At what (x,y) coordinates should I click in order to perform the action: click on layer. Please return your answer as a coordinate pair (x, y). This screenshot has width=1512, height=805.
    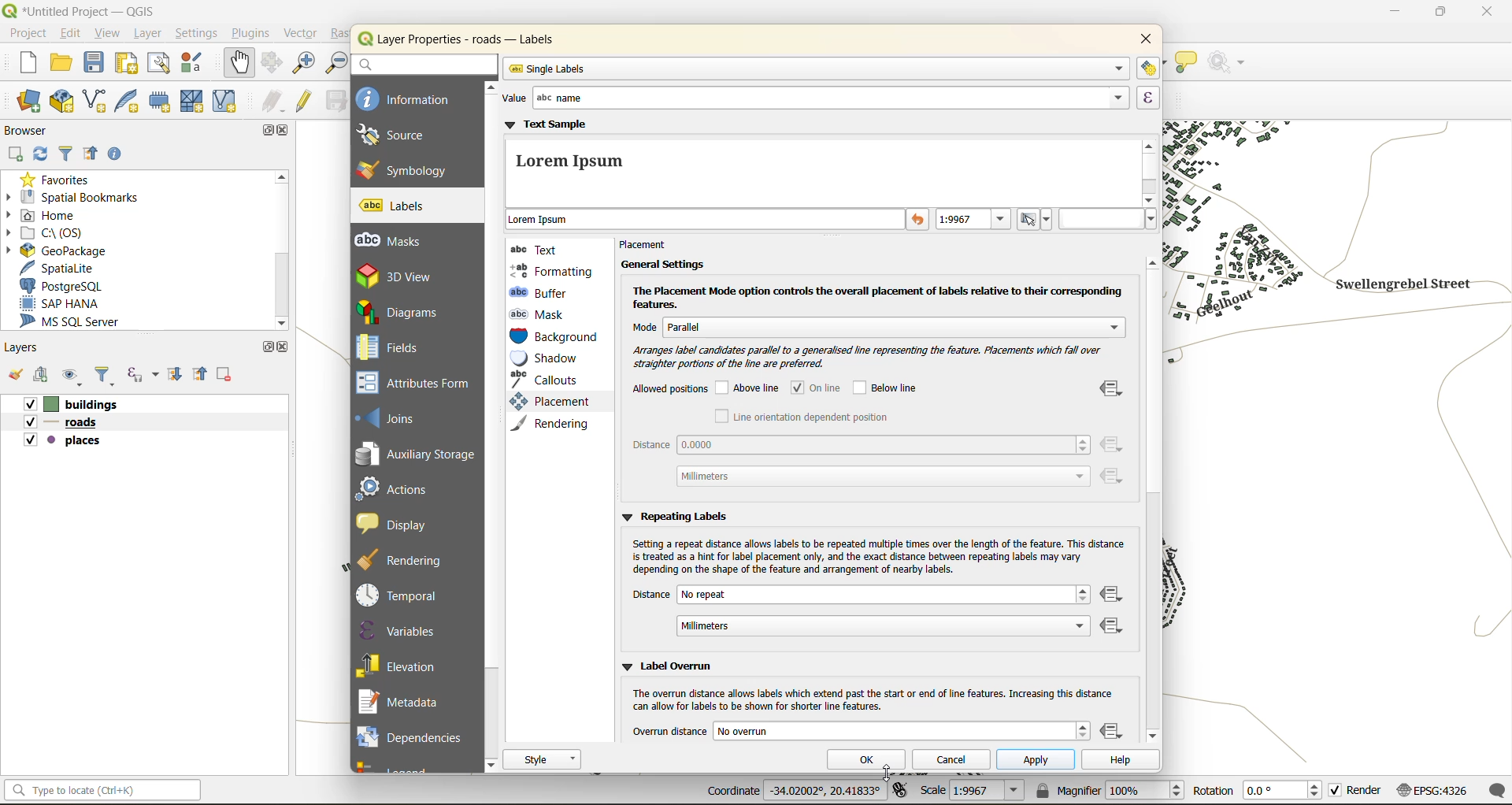
    Looking at the image, I should click on (146, 35).